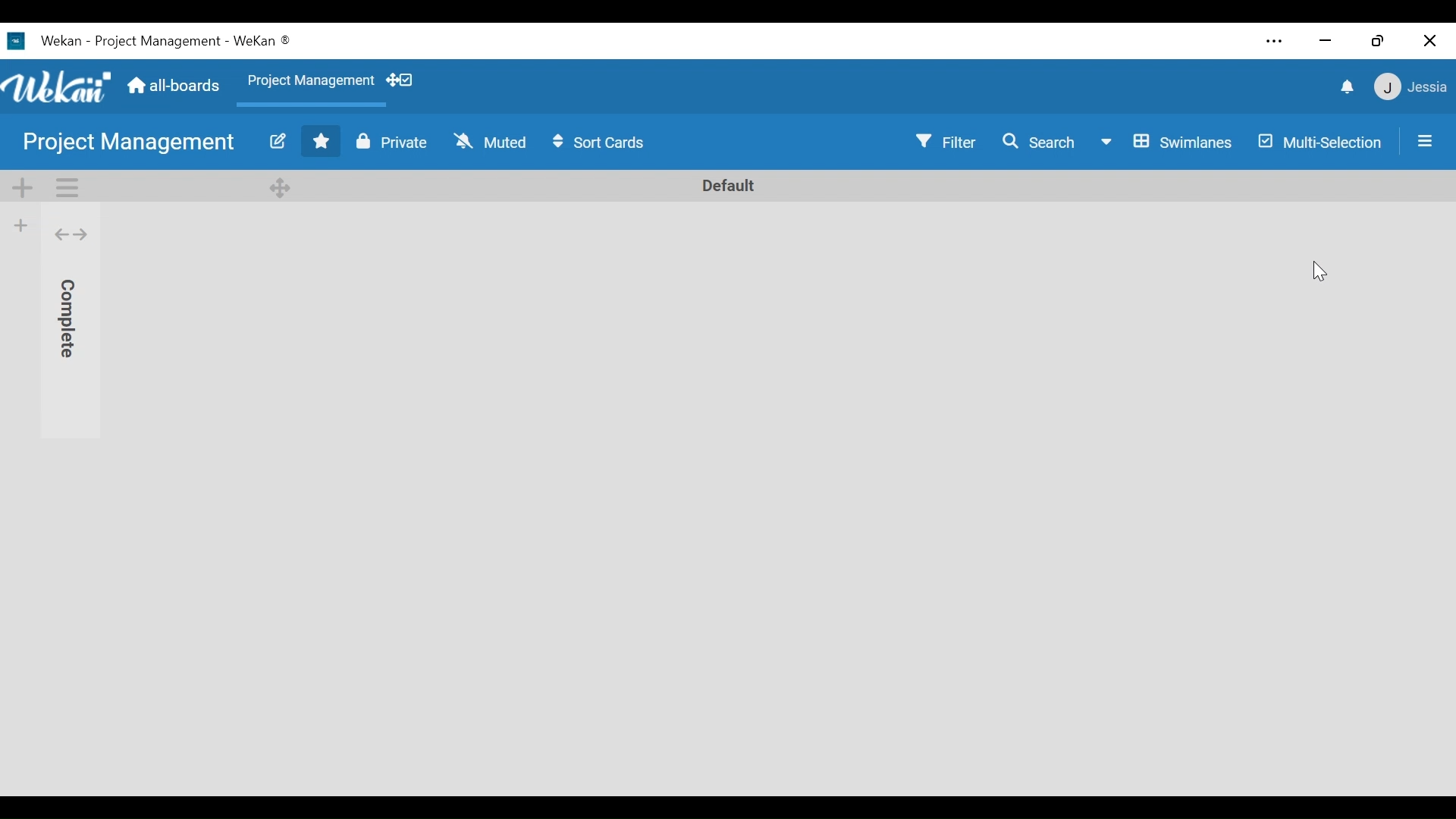  I want to click on Go to Home View (all-boards), so click(174, 87).